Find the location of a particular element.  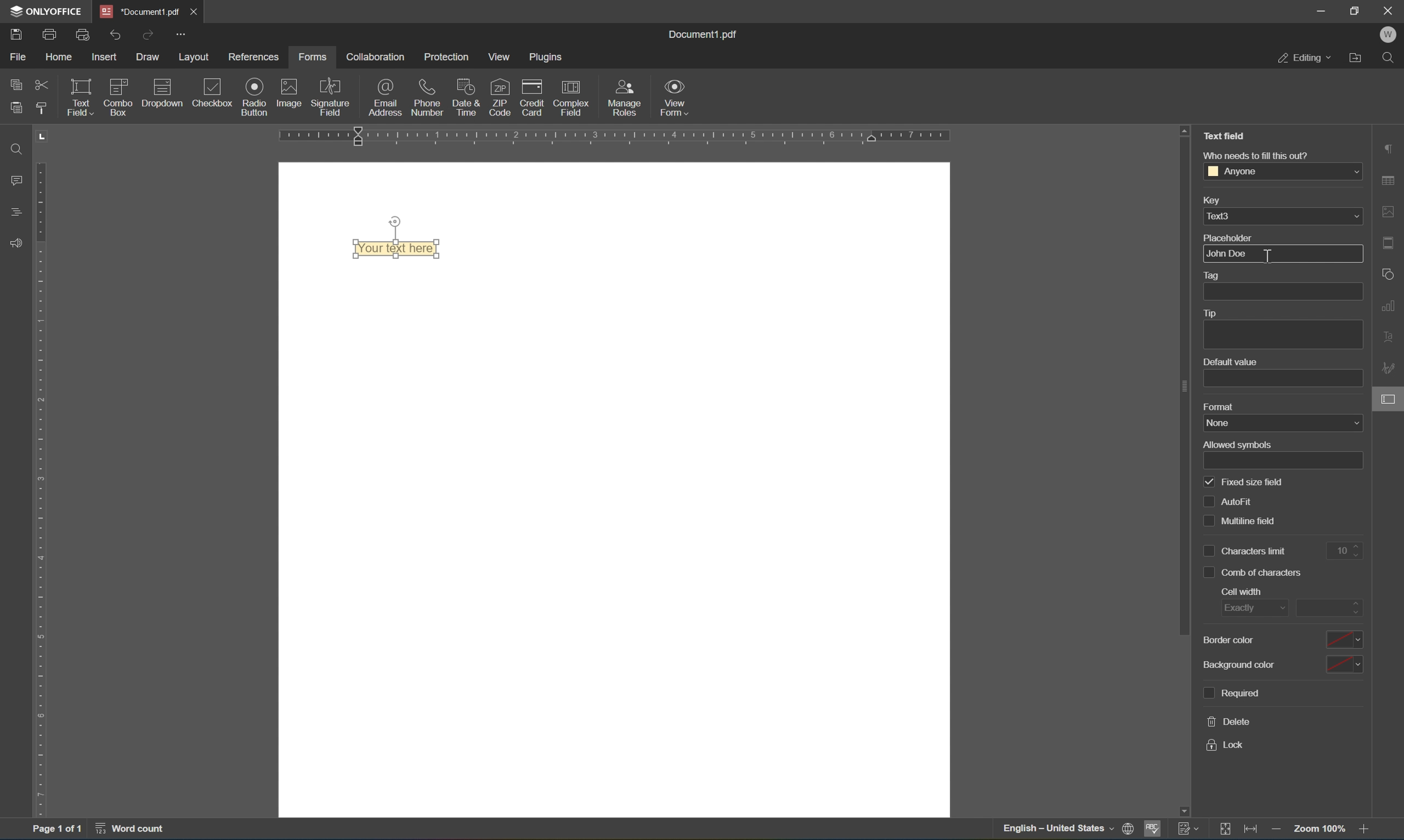

text art settings is located at coordinates (1393, 340).